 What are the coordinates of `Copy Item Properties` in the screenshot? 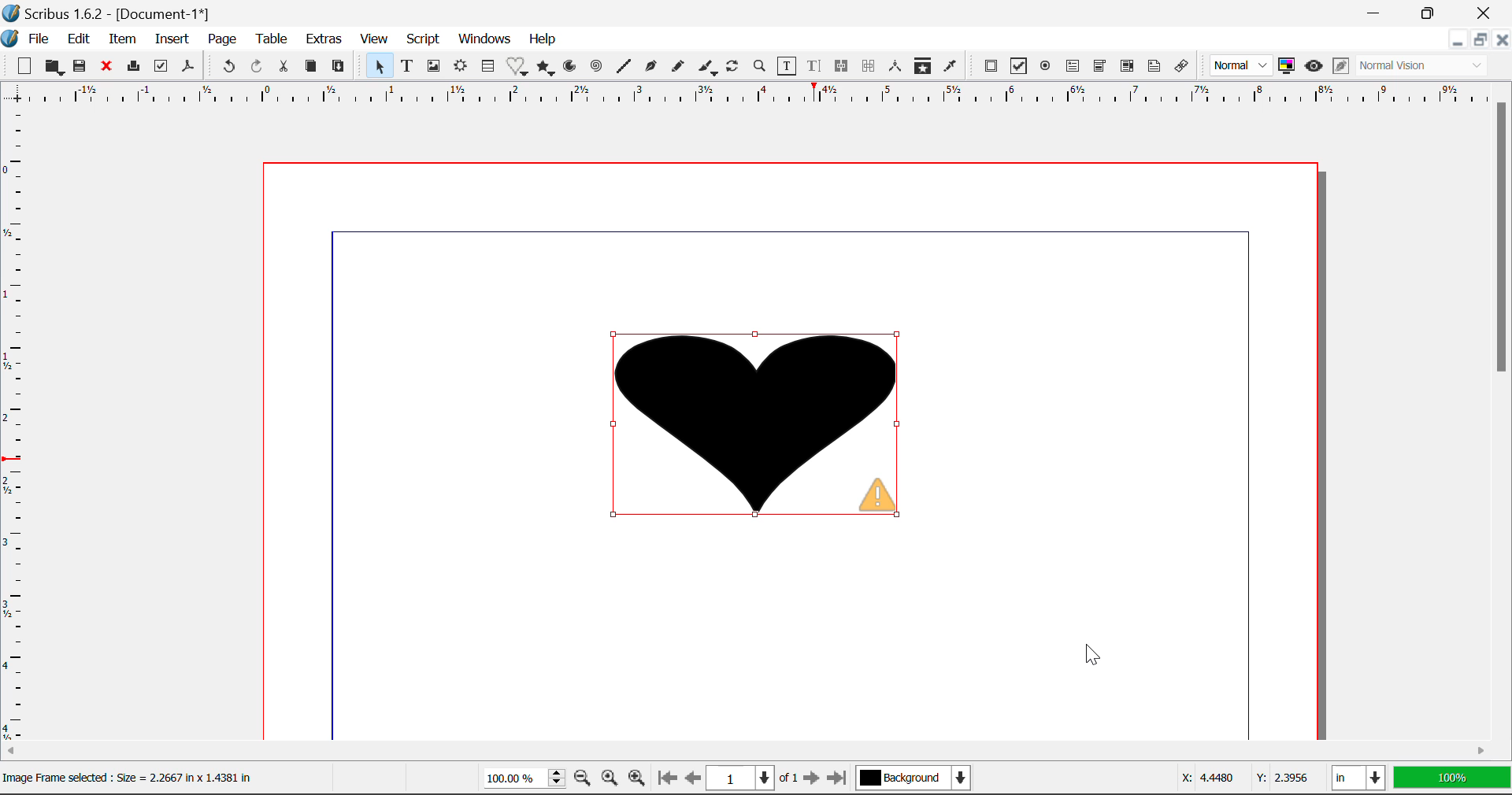 It's located at (926, 68).